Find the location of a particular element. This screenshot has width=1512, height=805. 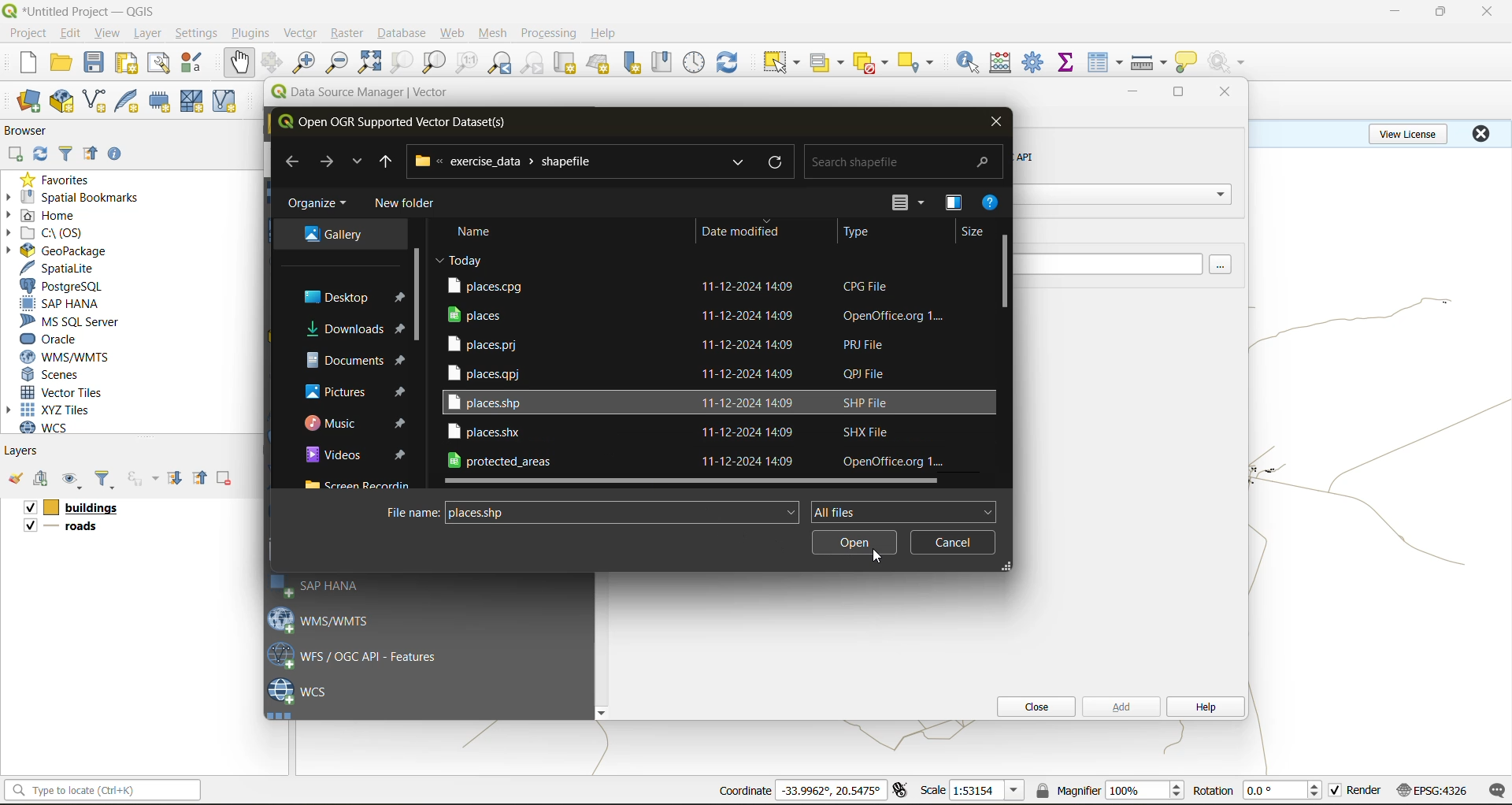

new shapefile layer is located at coordinates (95, 102).